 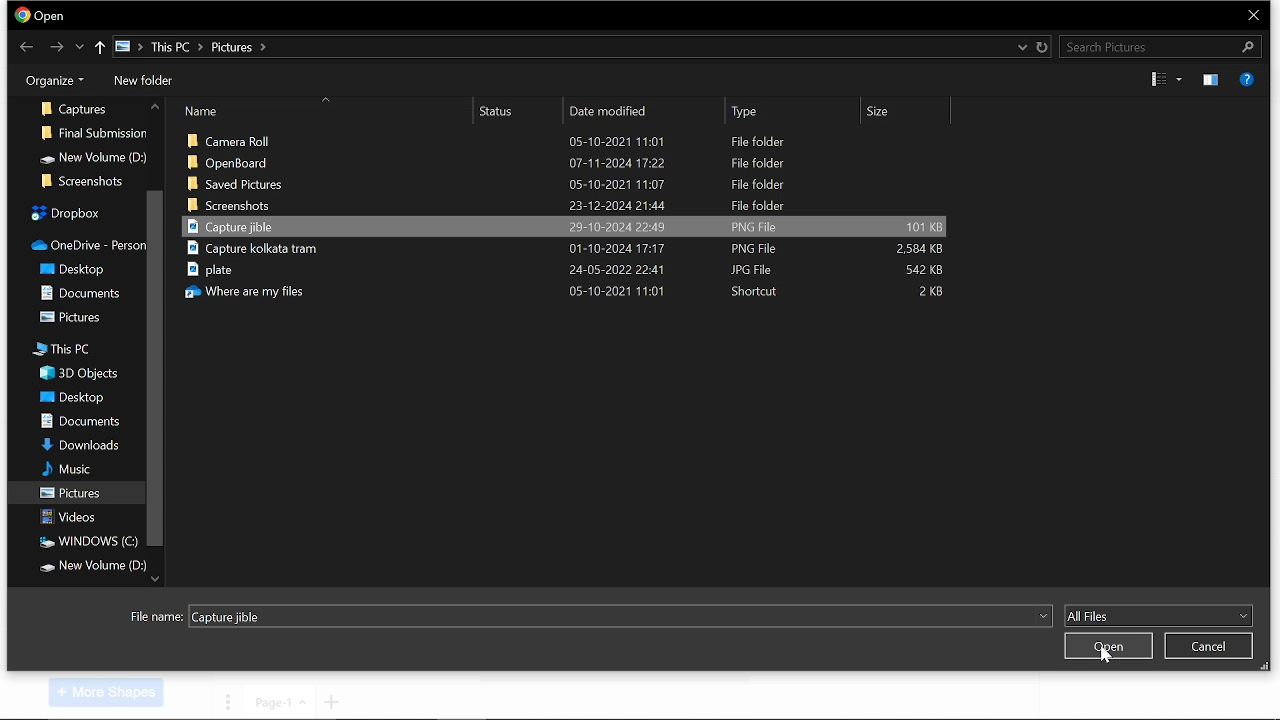 I want to click on next, so click(x=58, y=47).